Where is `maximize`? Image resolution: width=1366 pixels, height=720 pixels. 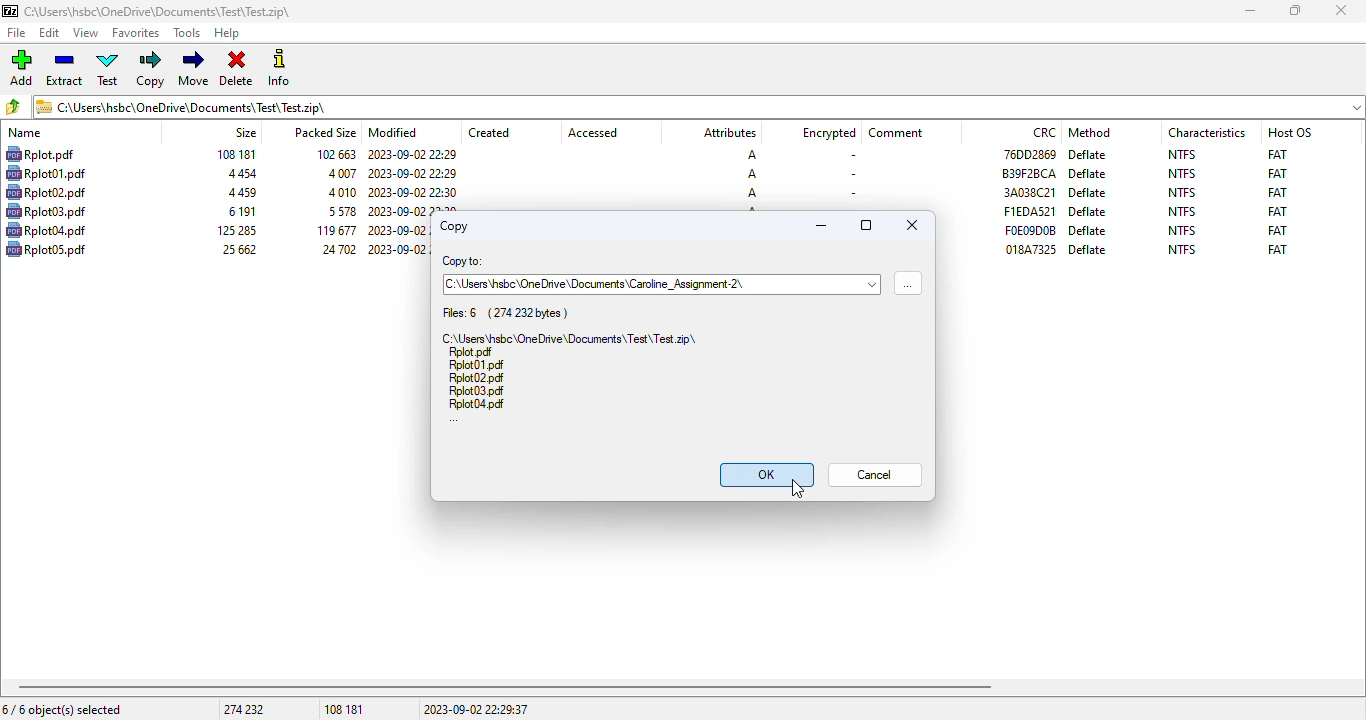
maximize is located at coordinates (1295, 11).